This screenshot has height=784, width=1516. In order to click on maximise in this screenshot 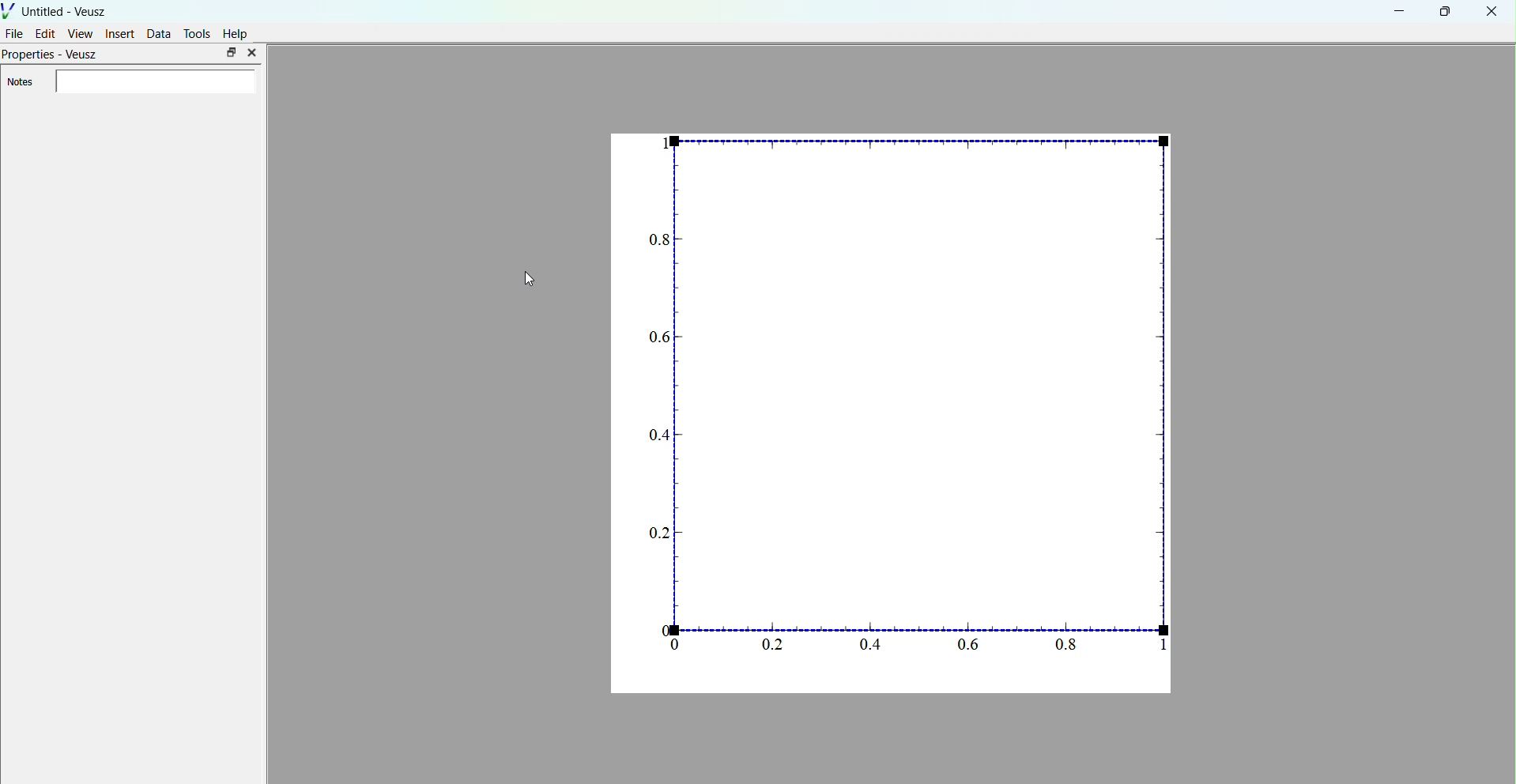, I will do `click(231, 52)`.